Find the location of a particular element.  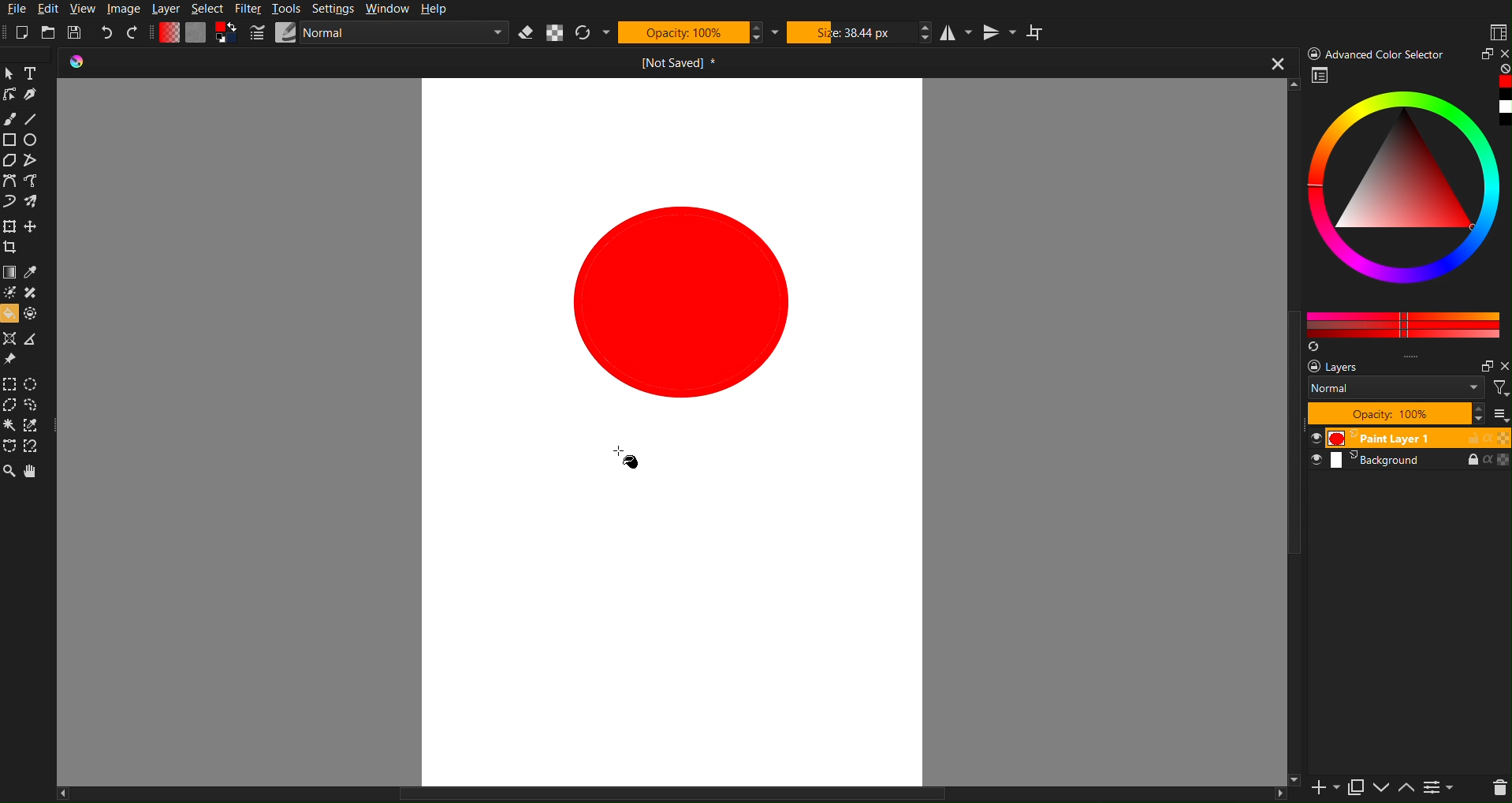

Transform is located at coordinates (9, 226).